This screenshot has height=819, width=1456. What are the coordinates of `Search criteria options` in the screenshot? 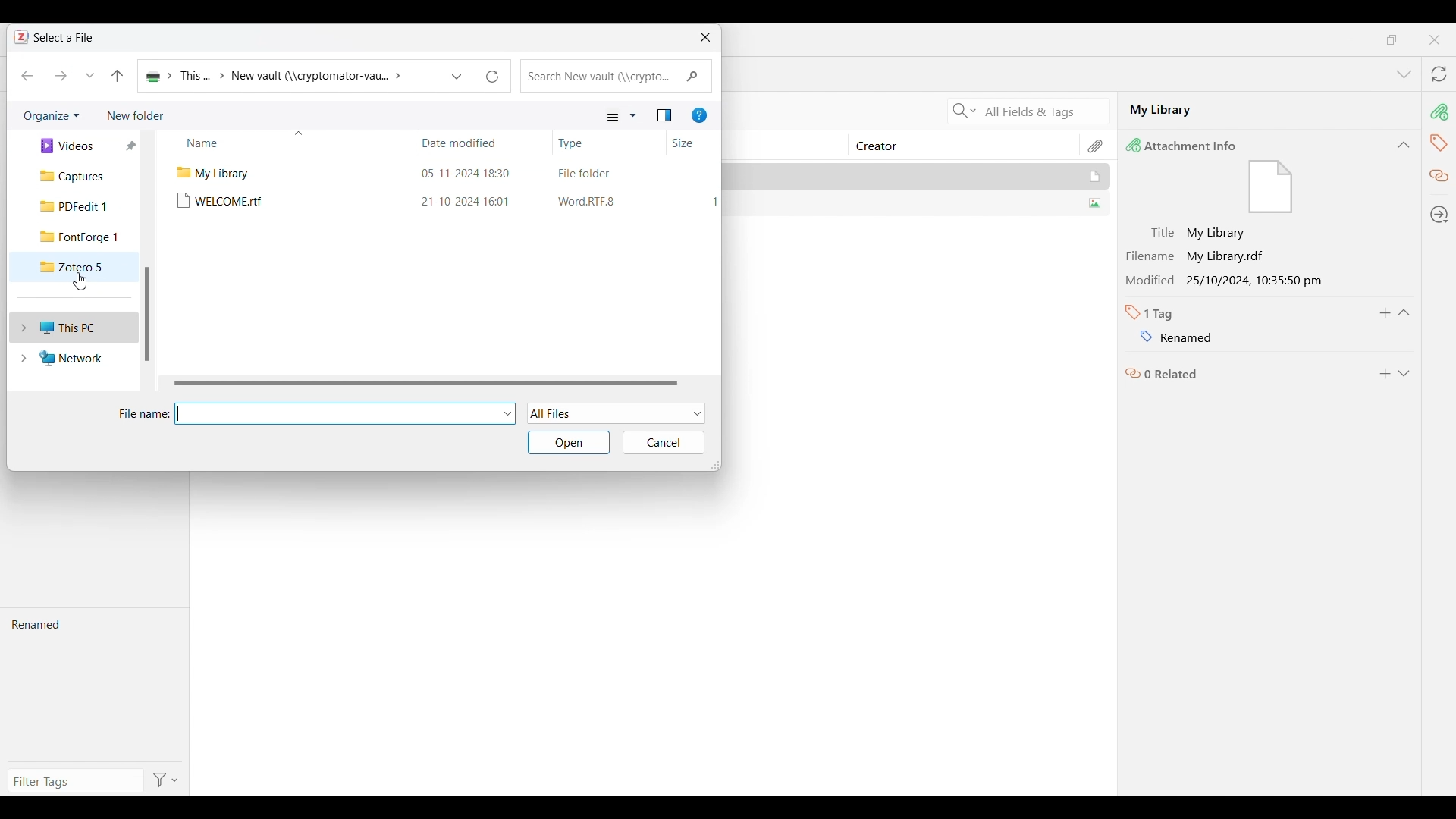 It's located at (962, 110).